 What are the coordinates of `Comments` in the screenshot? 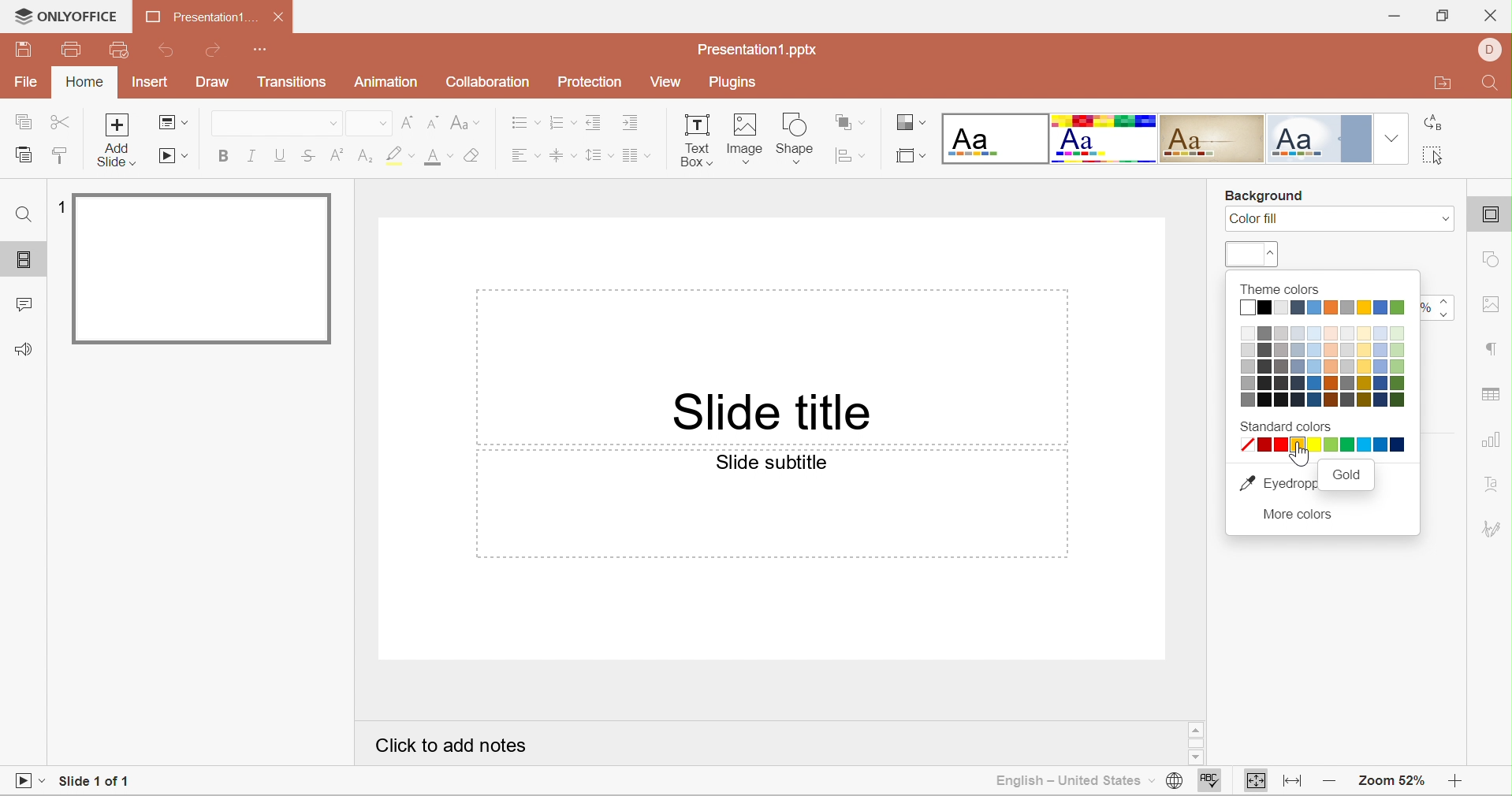 It's located at (22, 306).